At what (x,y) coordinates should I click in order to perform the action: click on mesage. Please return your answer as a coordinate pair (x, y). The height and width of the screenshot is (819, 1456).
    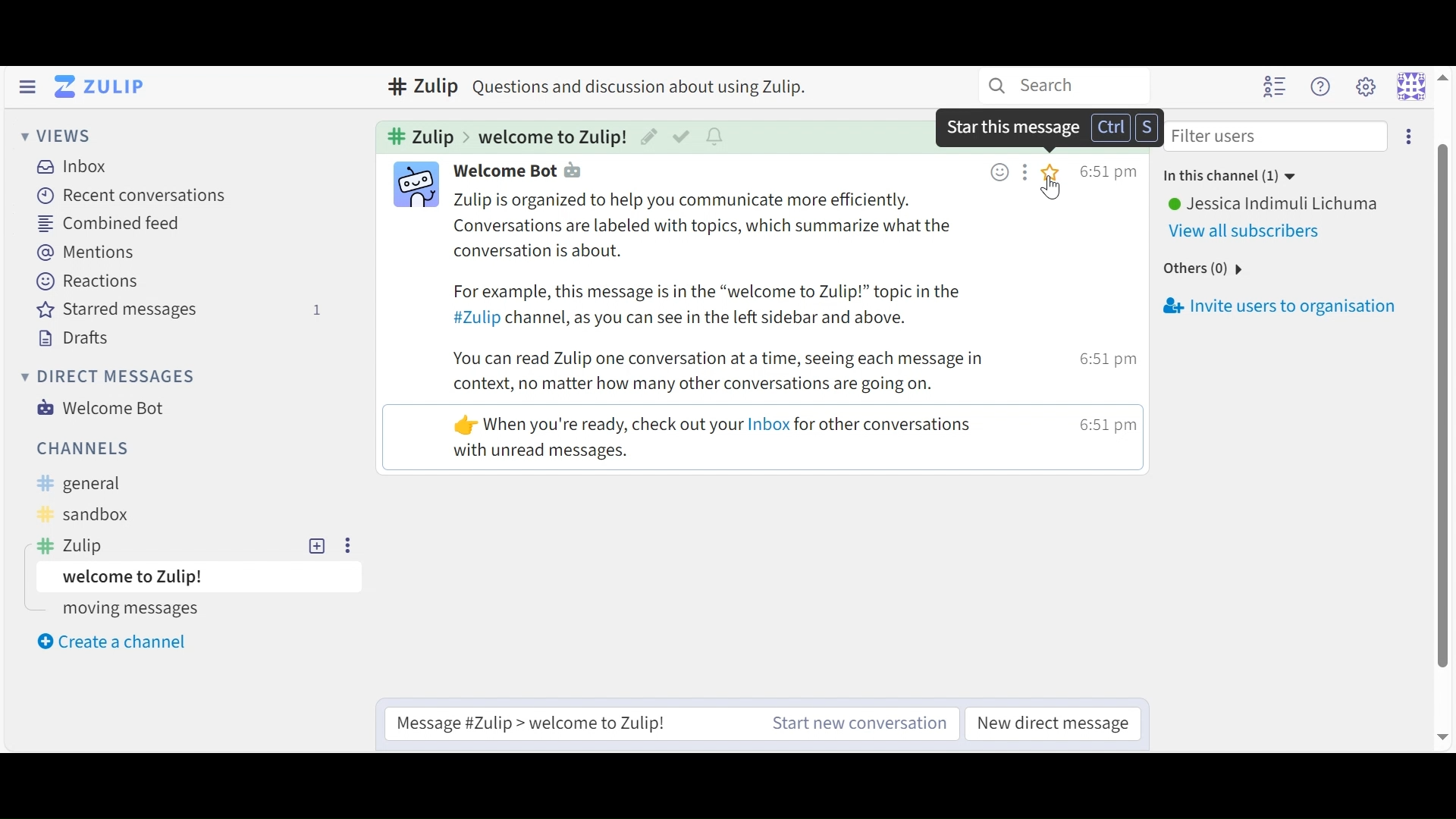
    Looking at the image, I should click on (798, 438).